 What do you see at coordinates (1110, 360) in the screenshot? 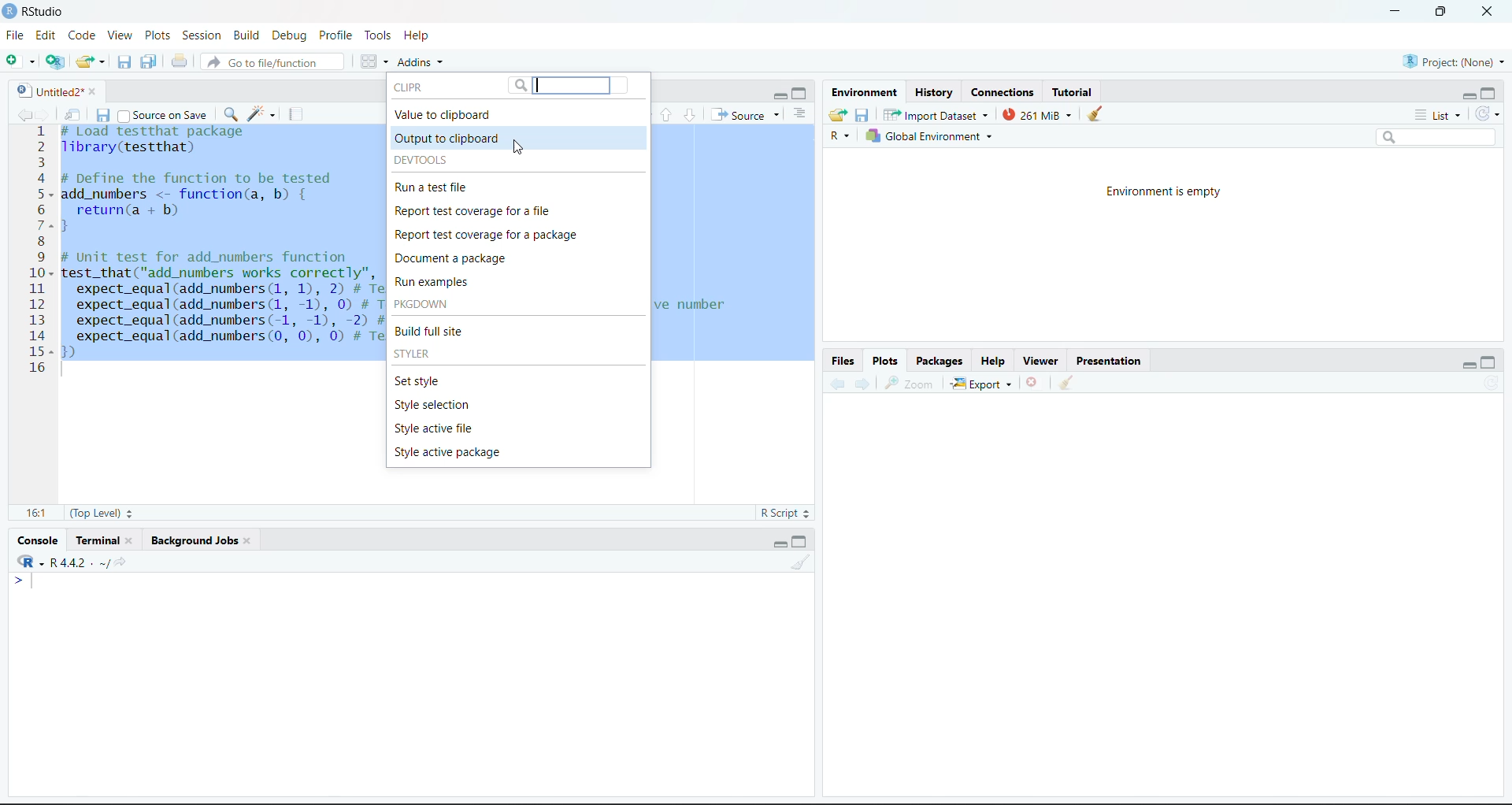
I see `Presentation` at bounding box center [1110, 360].